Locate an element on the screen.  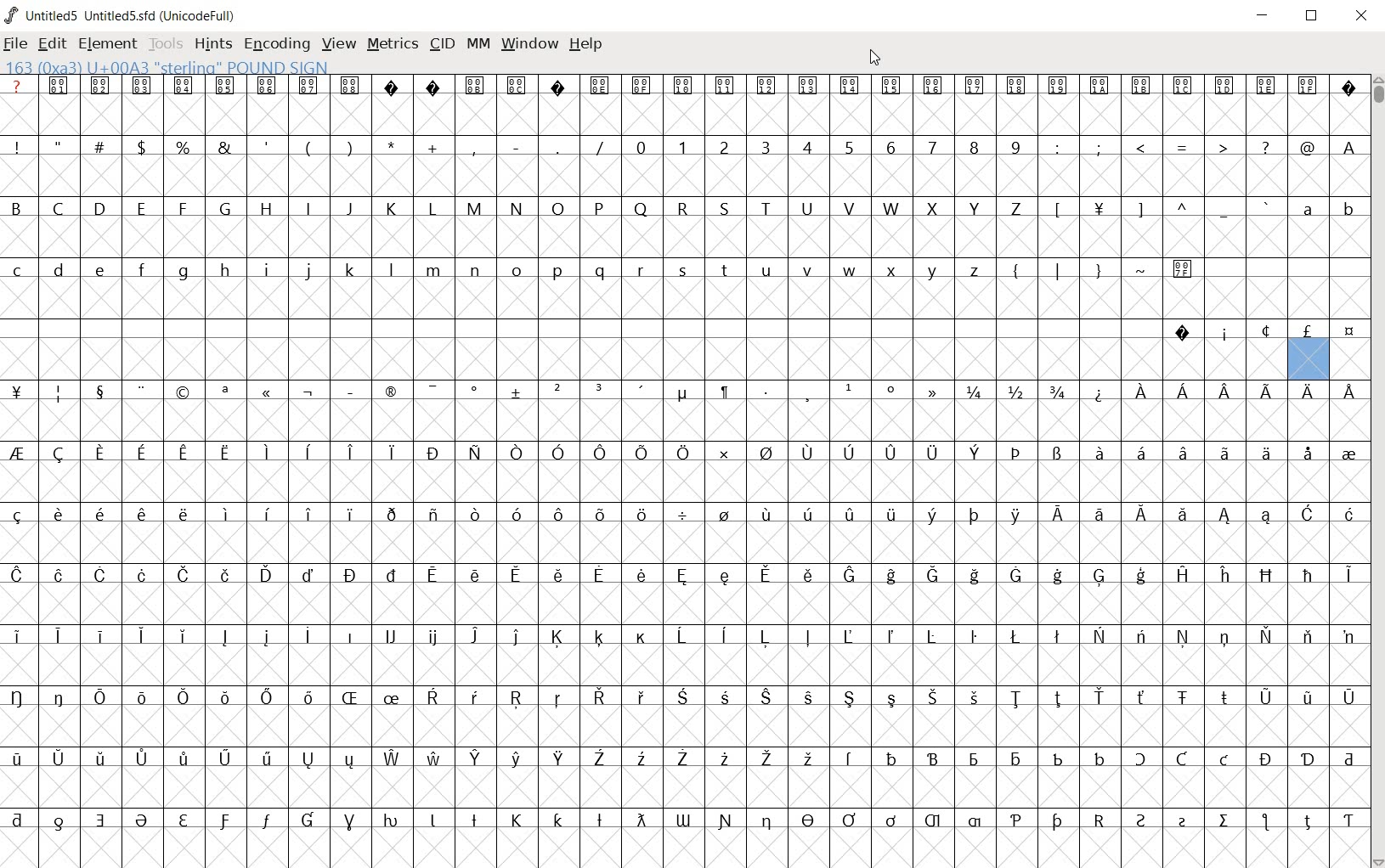
Symbol is located at coordinates (639, 820).